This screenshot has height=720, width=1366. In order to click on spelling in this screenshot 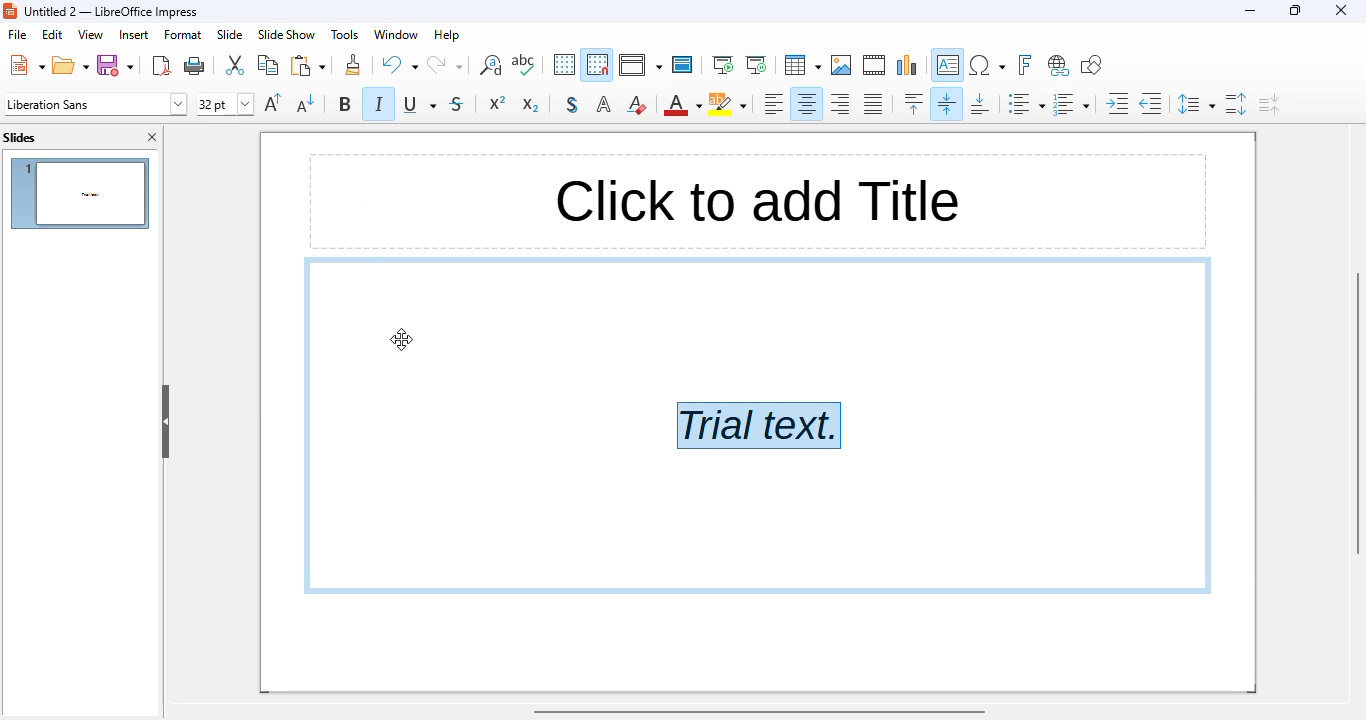, I will do `click(523, 64)`.